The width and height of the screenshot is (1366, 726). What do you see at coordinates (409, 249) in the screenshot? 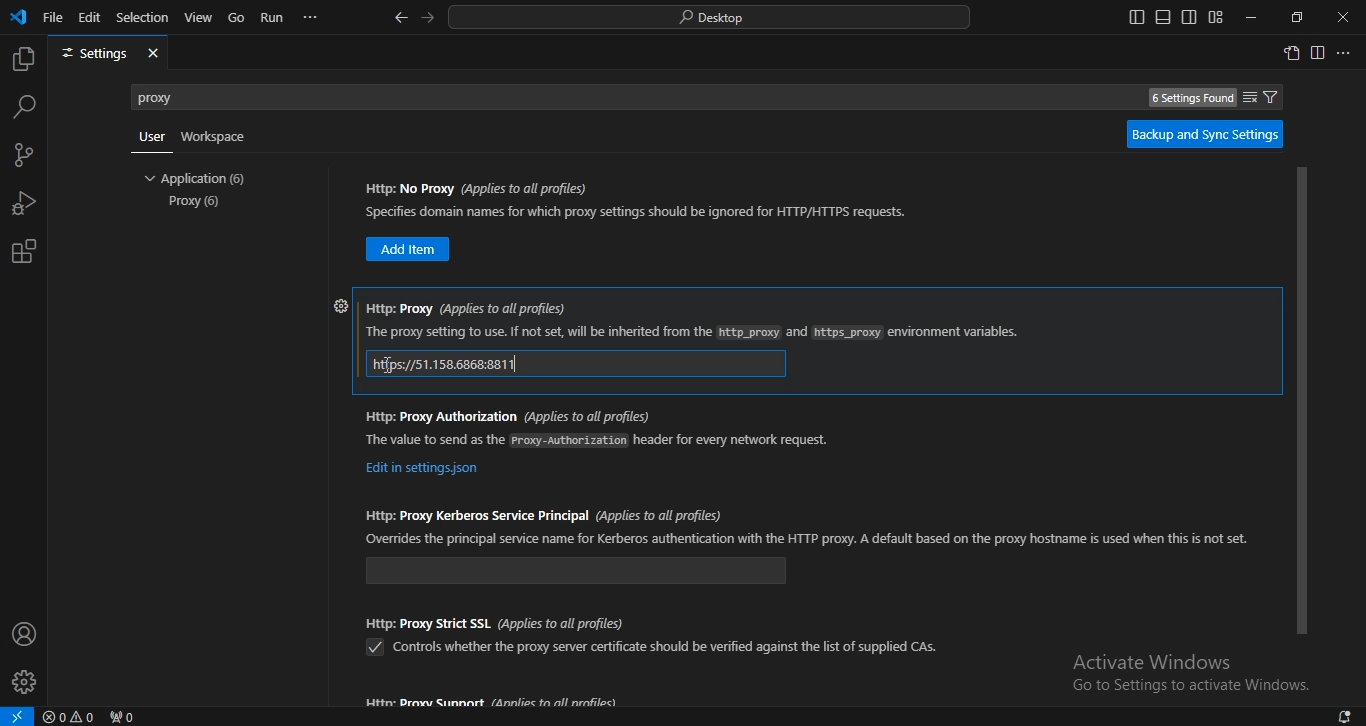
I see `https: no proxy` at bounding box center [409, 249].